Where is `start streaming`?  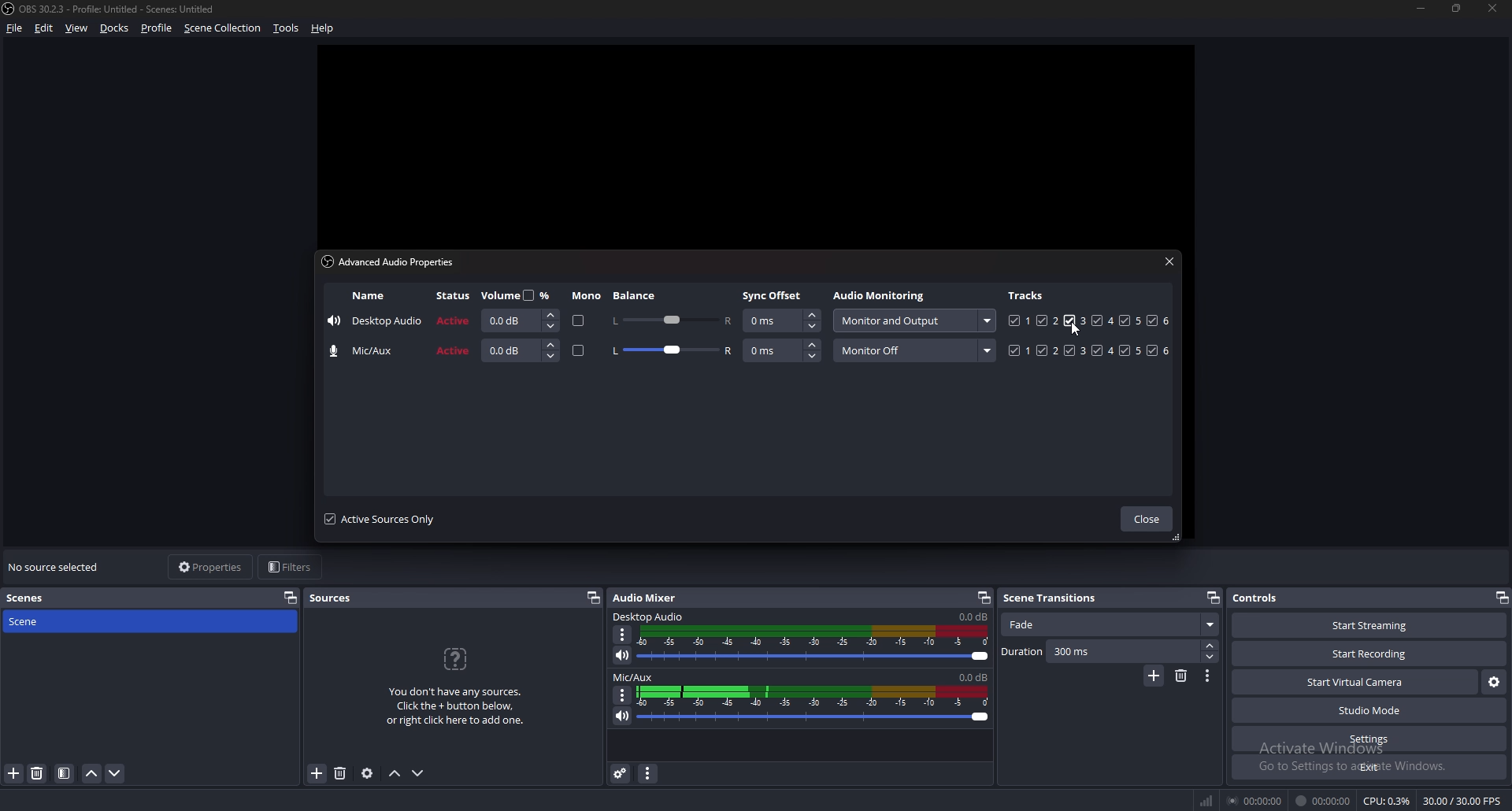
start streaming is located at coordinates (1360, 626).